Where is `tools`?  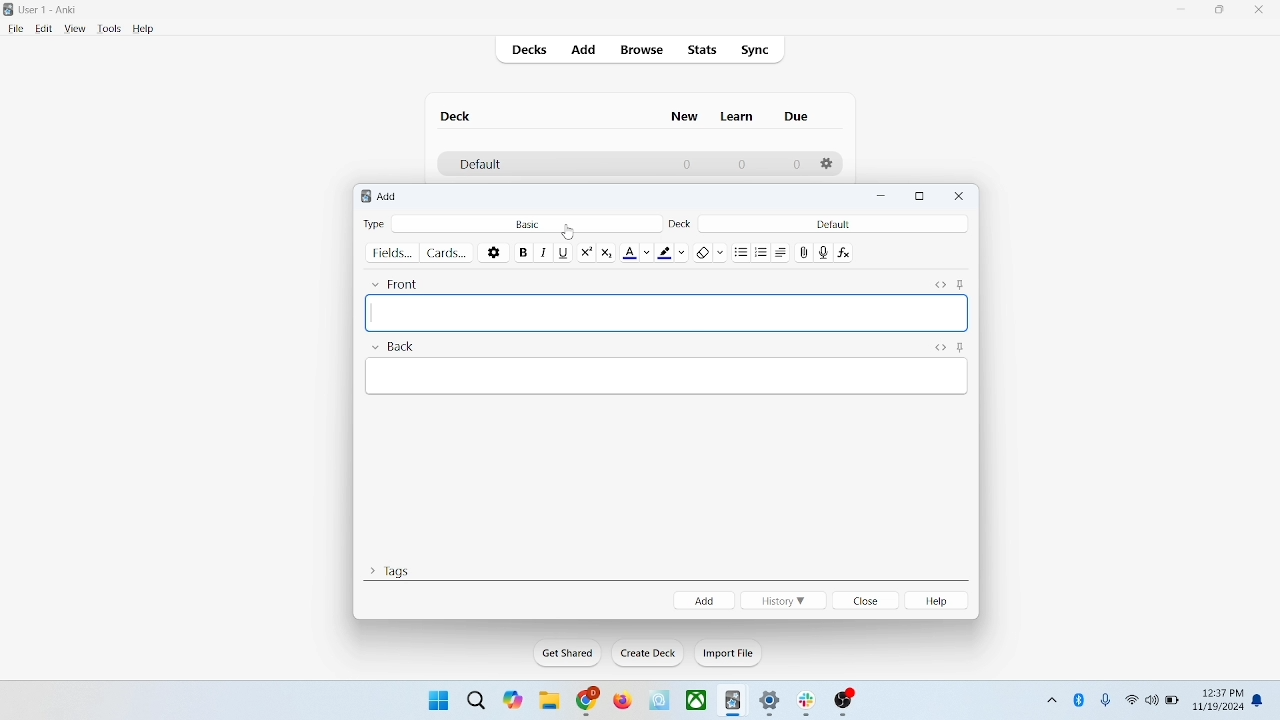
tools is located at coordinates (108, 29).